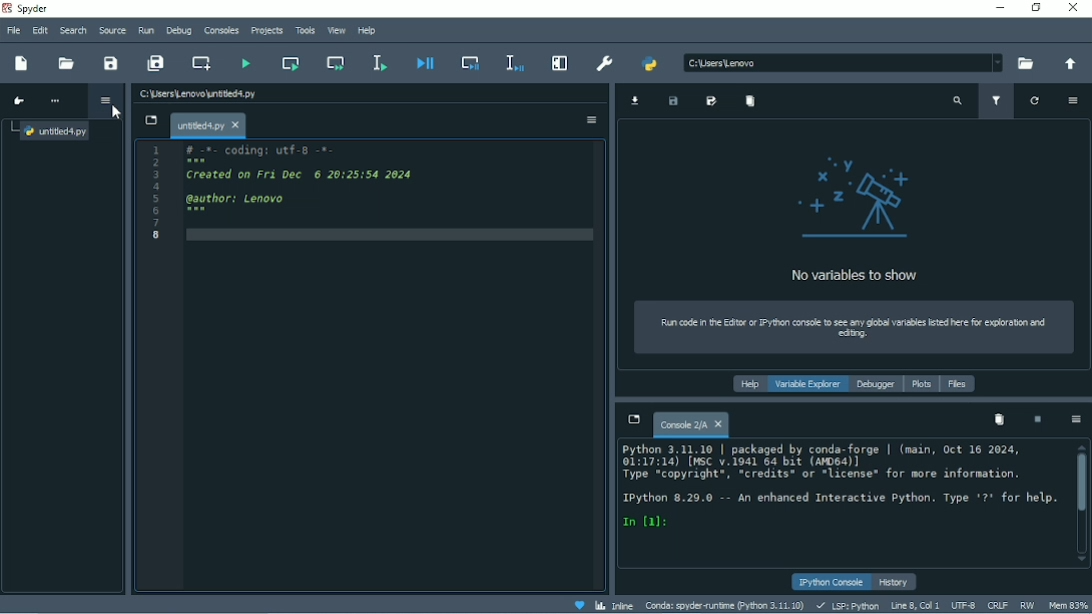  What do you see at coordinates (633, 421) in the screenshot?
I see `Browse tabs` at bounding box center [633, 421].